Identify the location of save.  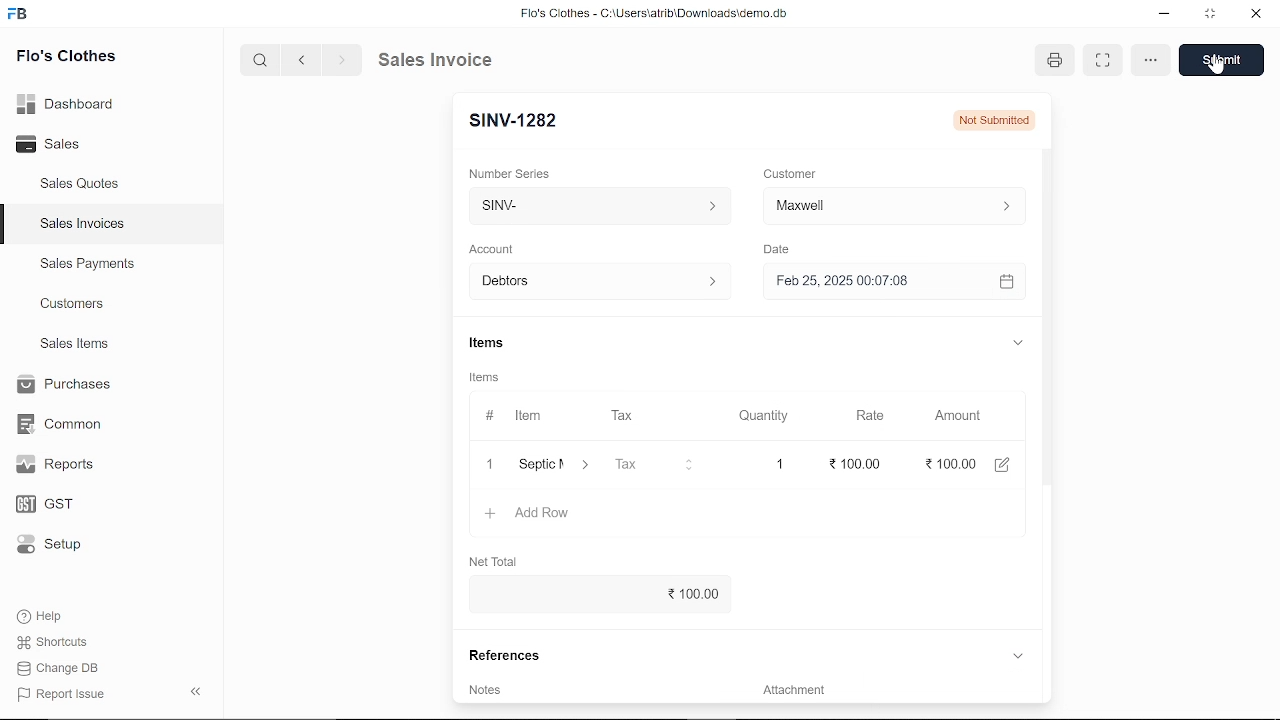
(1221, 60).